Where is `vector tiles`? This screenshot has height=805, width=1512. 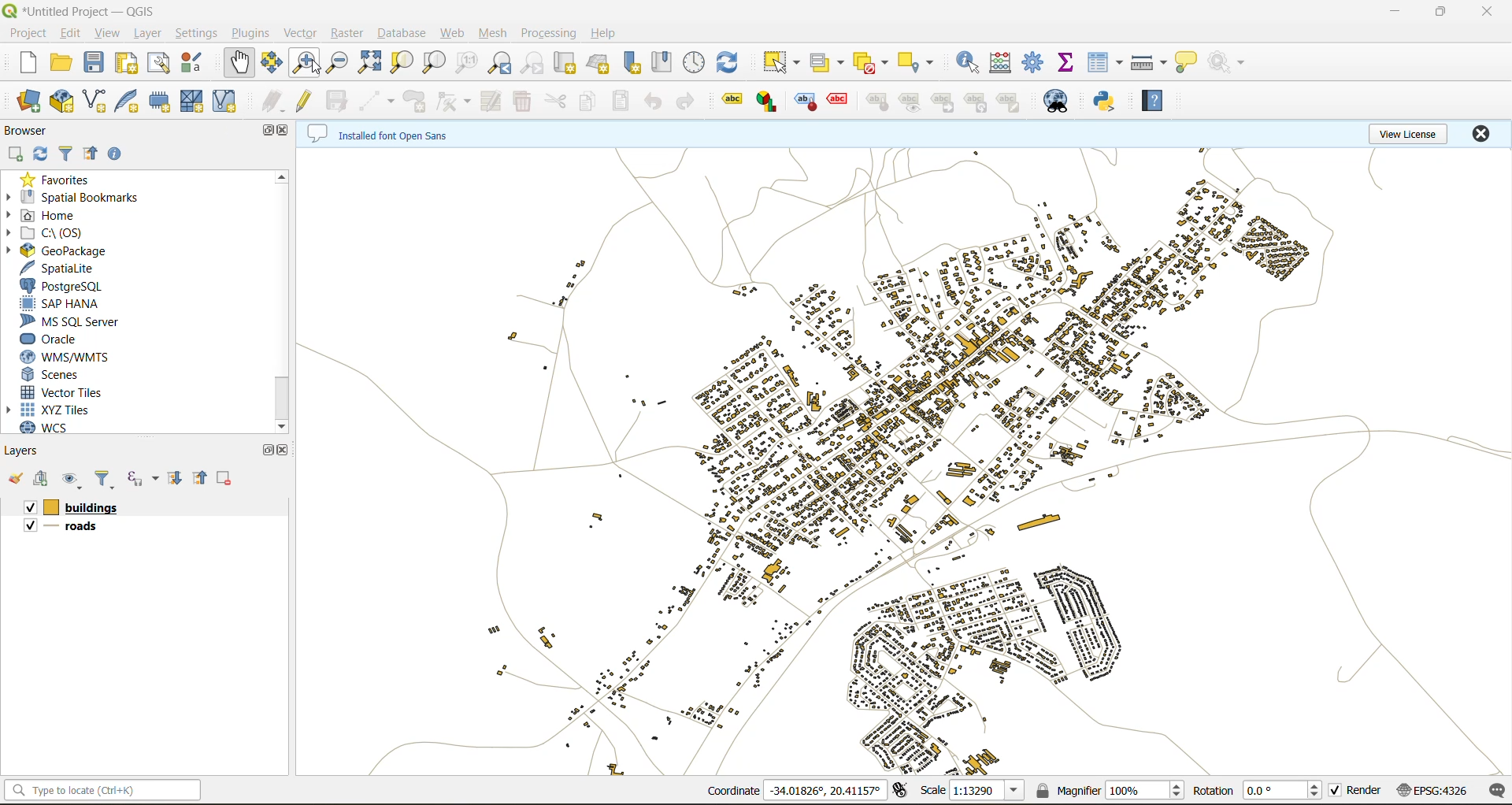
vector tiles is located at coordinates (64, 393).